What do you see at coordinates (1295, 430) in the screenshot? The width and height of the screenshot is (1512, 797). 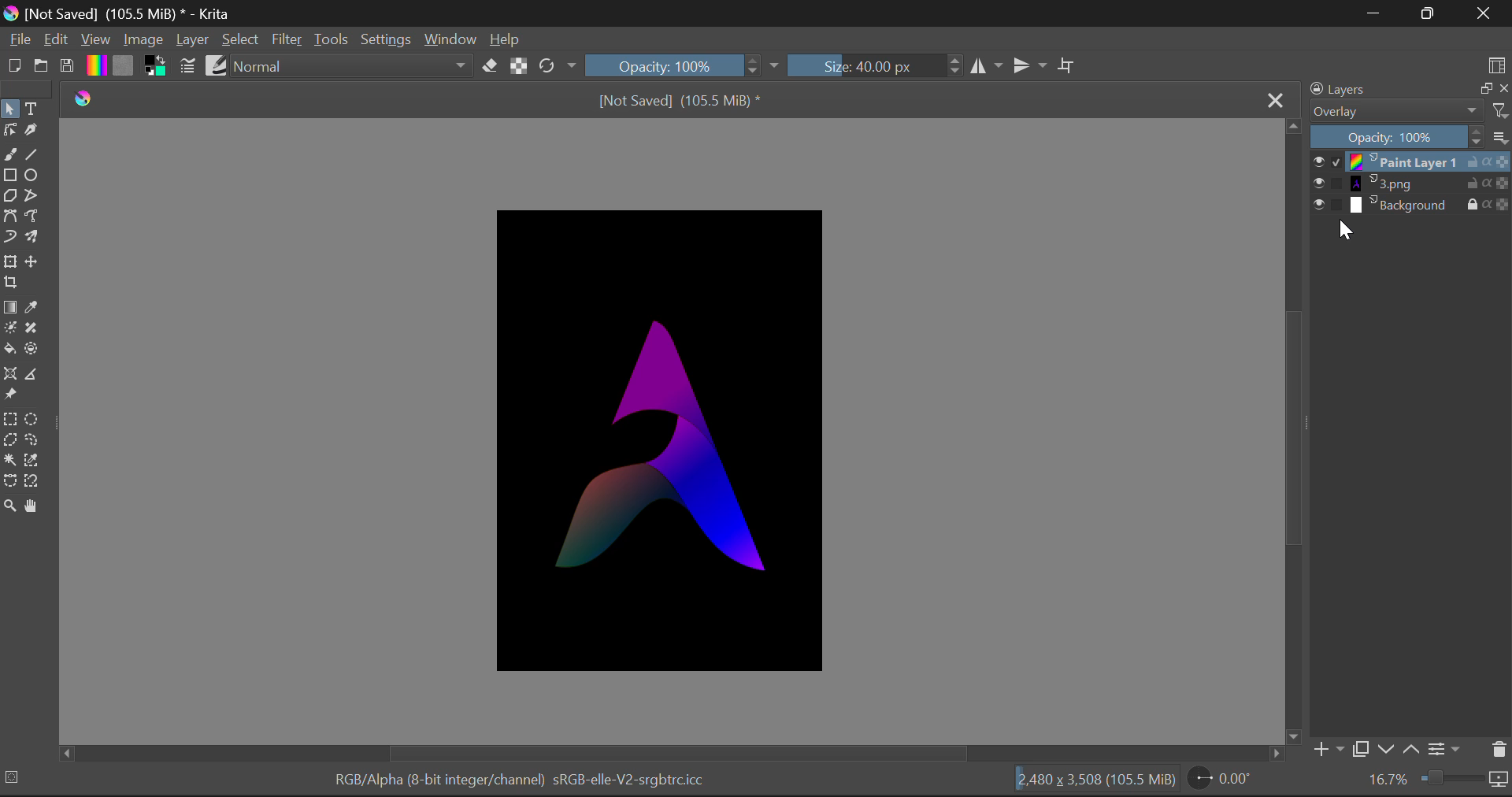 I see `Scroll Bar` at bounding box center [1295, 430].